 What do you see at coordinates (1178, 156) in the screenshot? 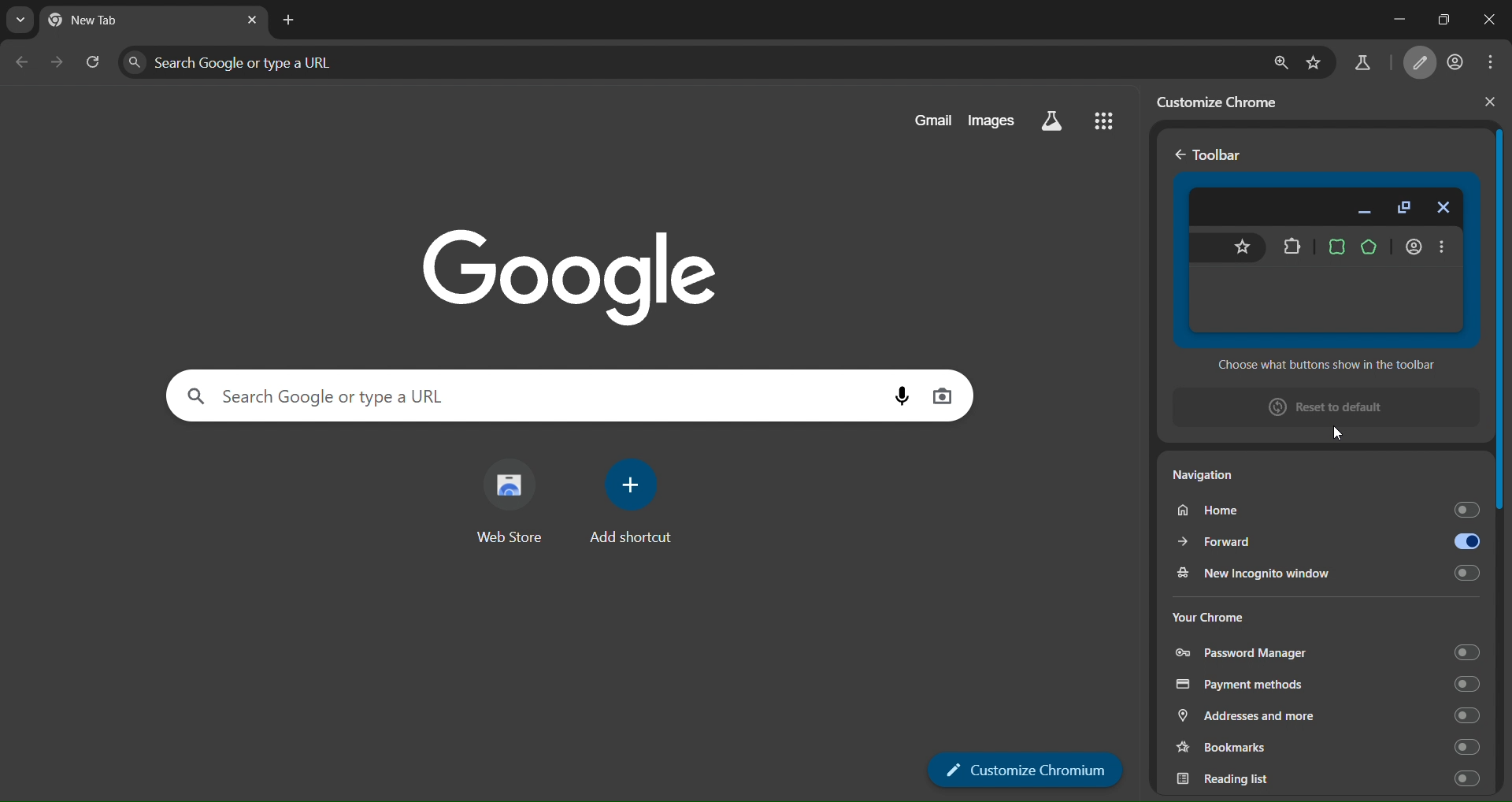
I see `go back` at bounding box center [1178, 156].